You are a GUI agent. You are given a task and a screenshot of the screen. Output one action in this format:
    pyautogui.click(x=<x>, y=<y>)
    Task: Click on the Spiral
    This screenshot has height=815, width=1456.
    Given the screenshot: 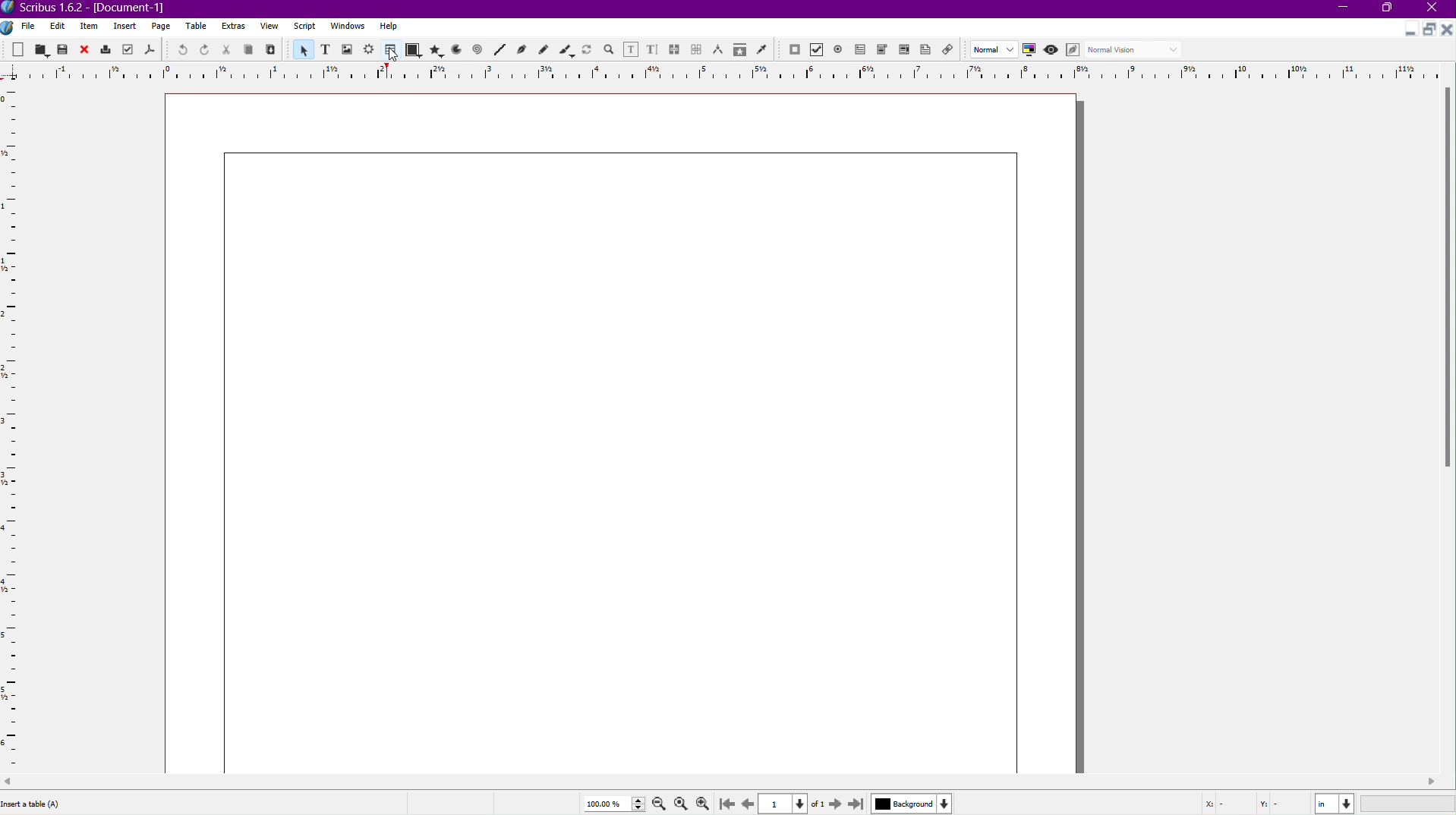 What is the action you would take?
    pyautogui.click(x=478, y=51)
    